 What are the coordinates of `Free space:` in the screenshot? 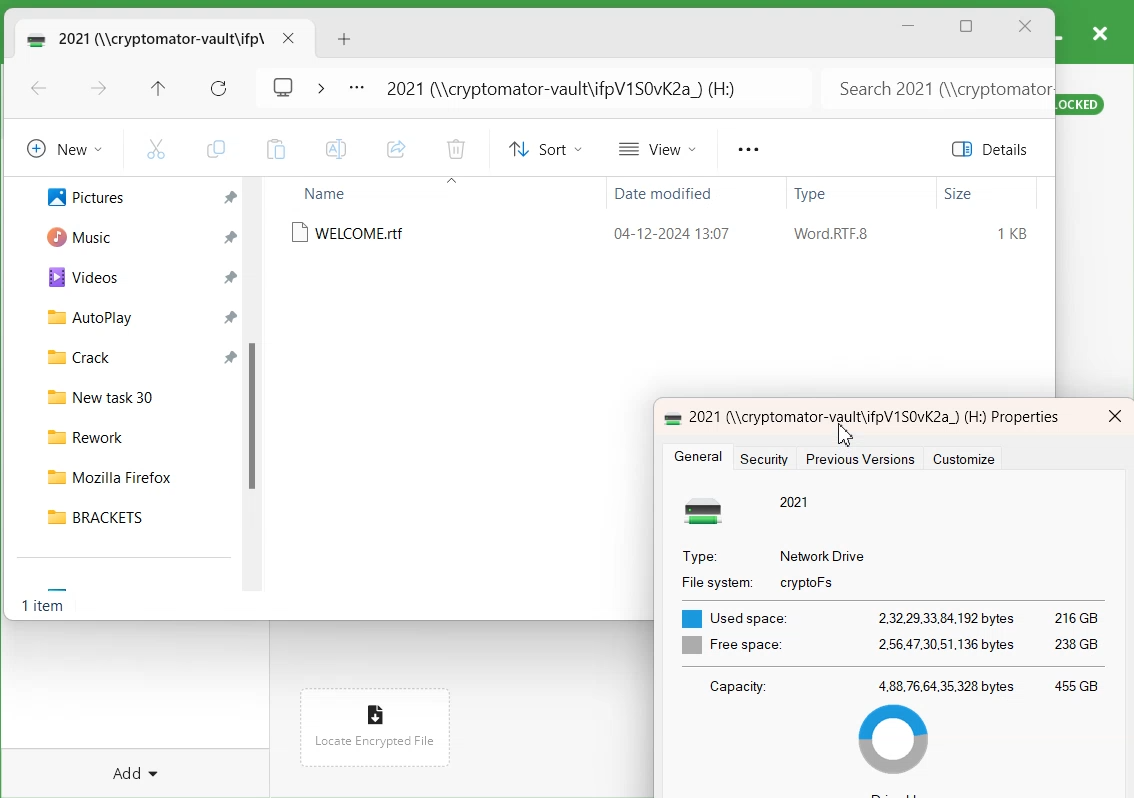 It's located at (733, 645).